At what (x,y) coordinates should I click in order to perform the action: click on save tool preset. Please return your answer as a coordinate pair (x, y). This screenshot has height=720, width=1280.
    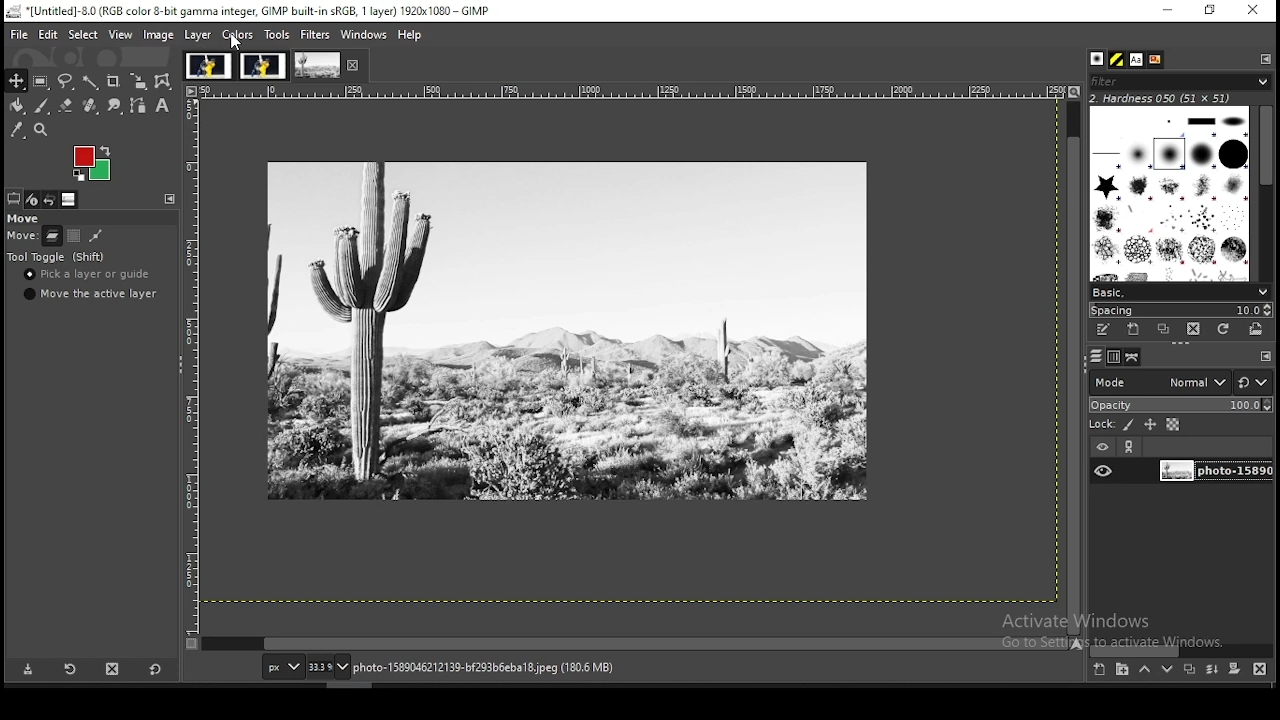
    Looking at the image, I should click on (26, 670).